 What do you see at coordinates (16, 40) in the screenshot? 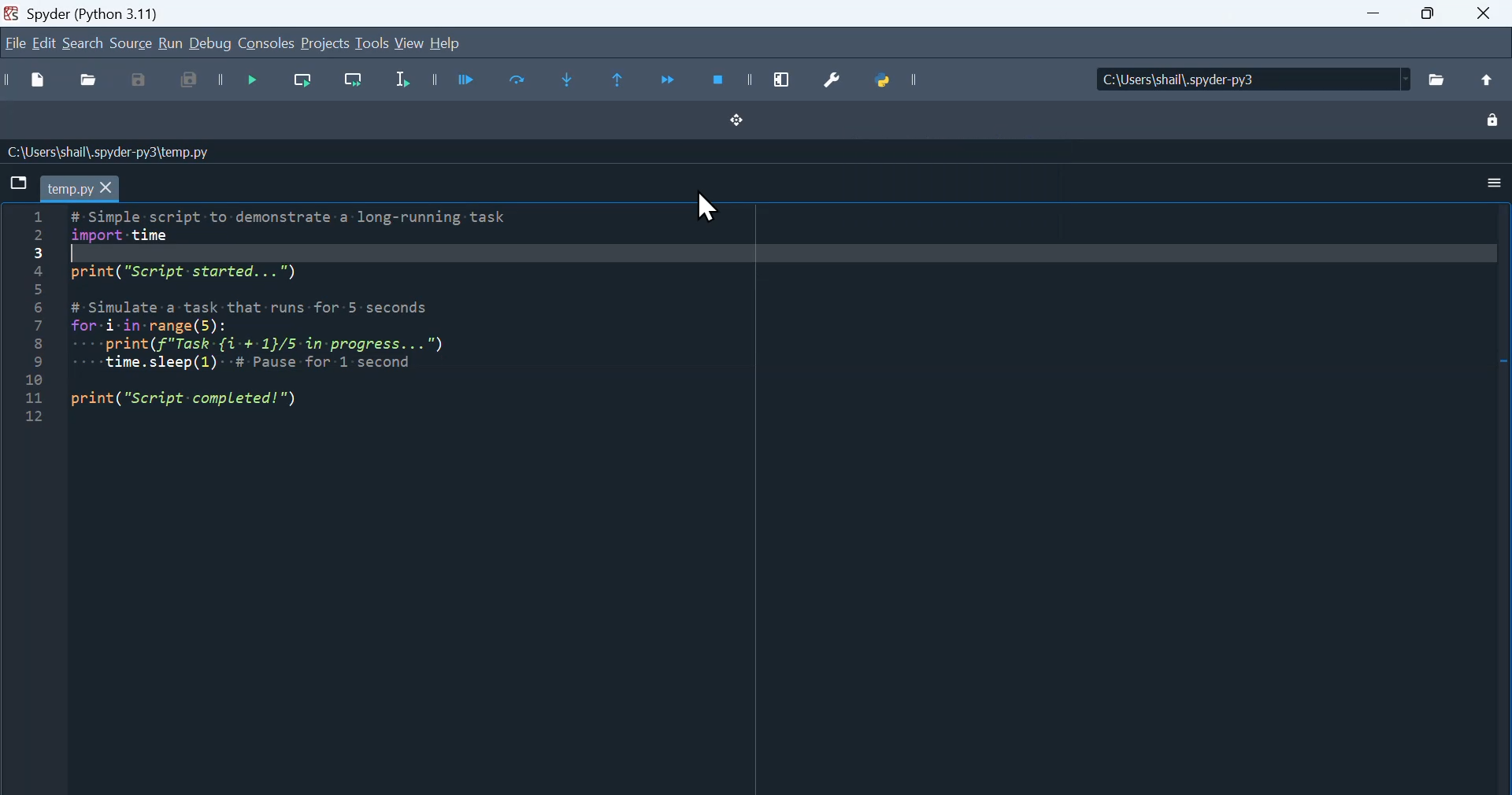
I see `File` at bounding box center [16, 40].